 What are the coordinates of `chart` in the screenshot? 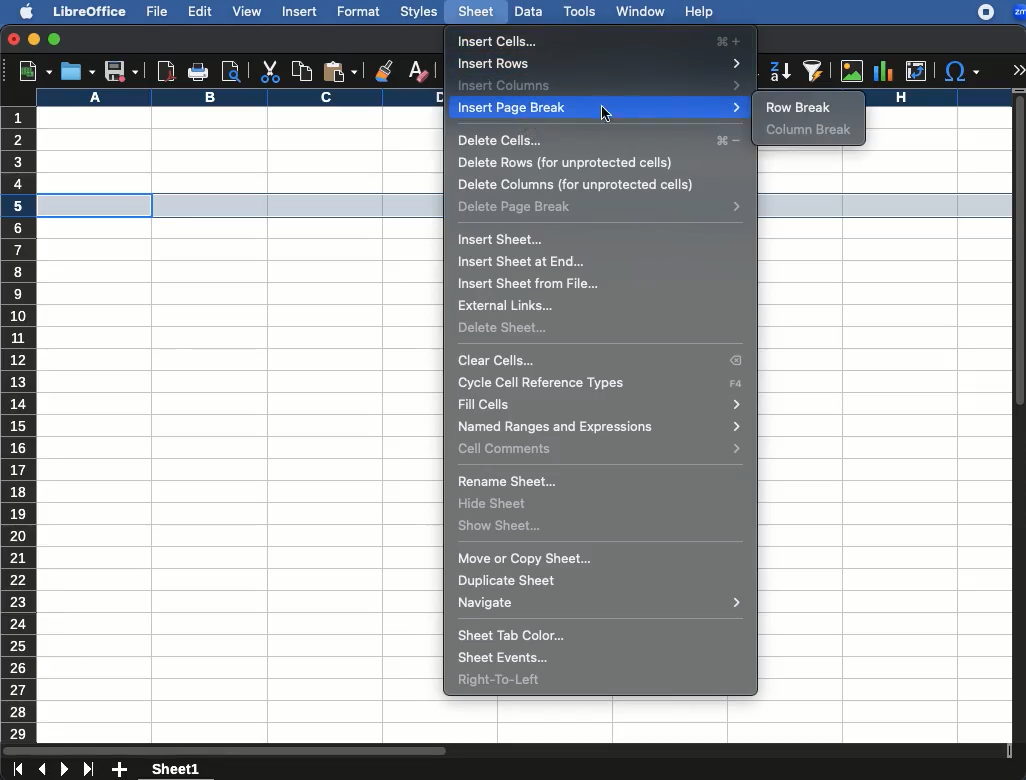 It's located at (886, 70).